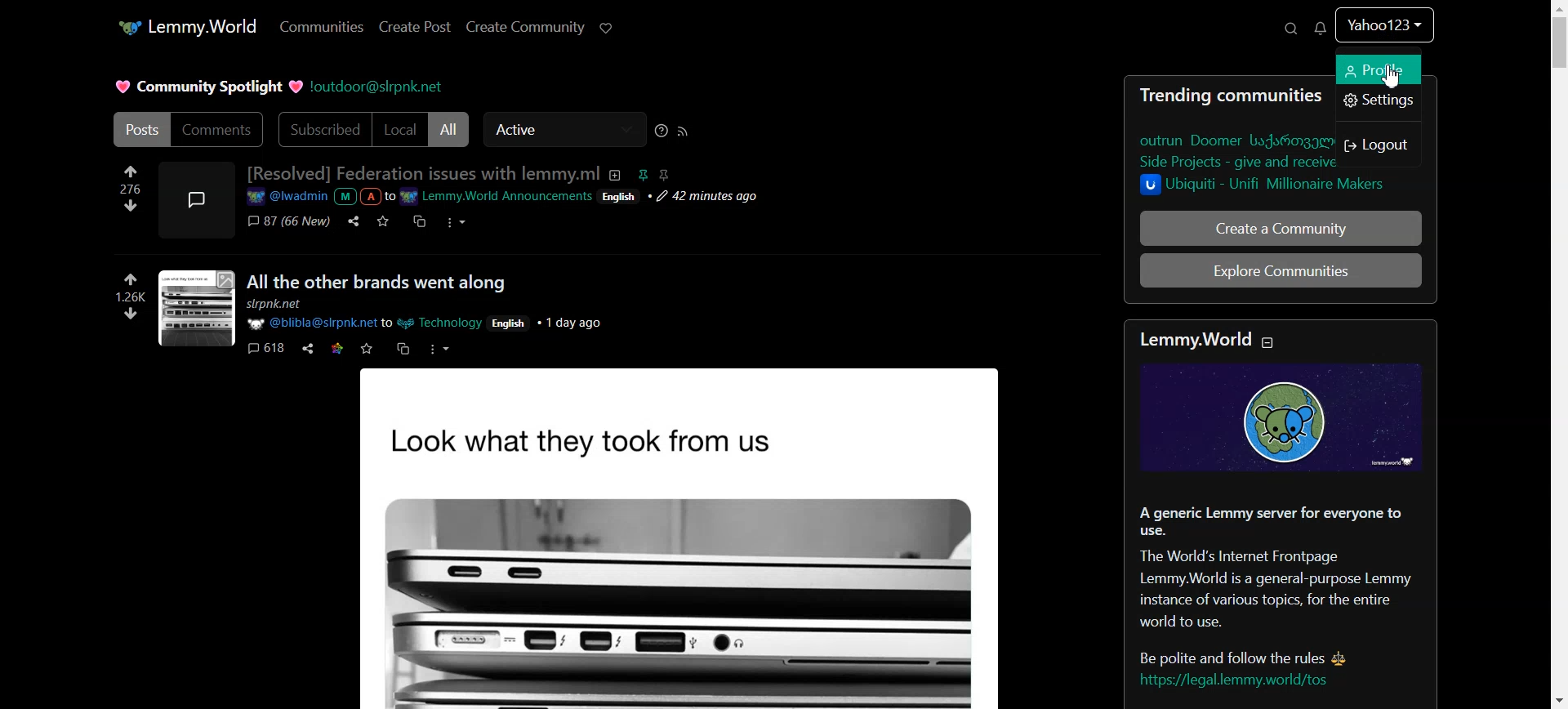  I want to click on Hyperlink, so click(378, 87).